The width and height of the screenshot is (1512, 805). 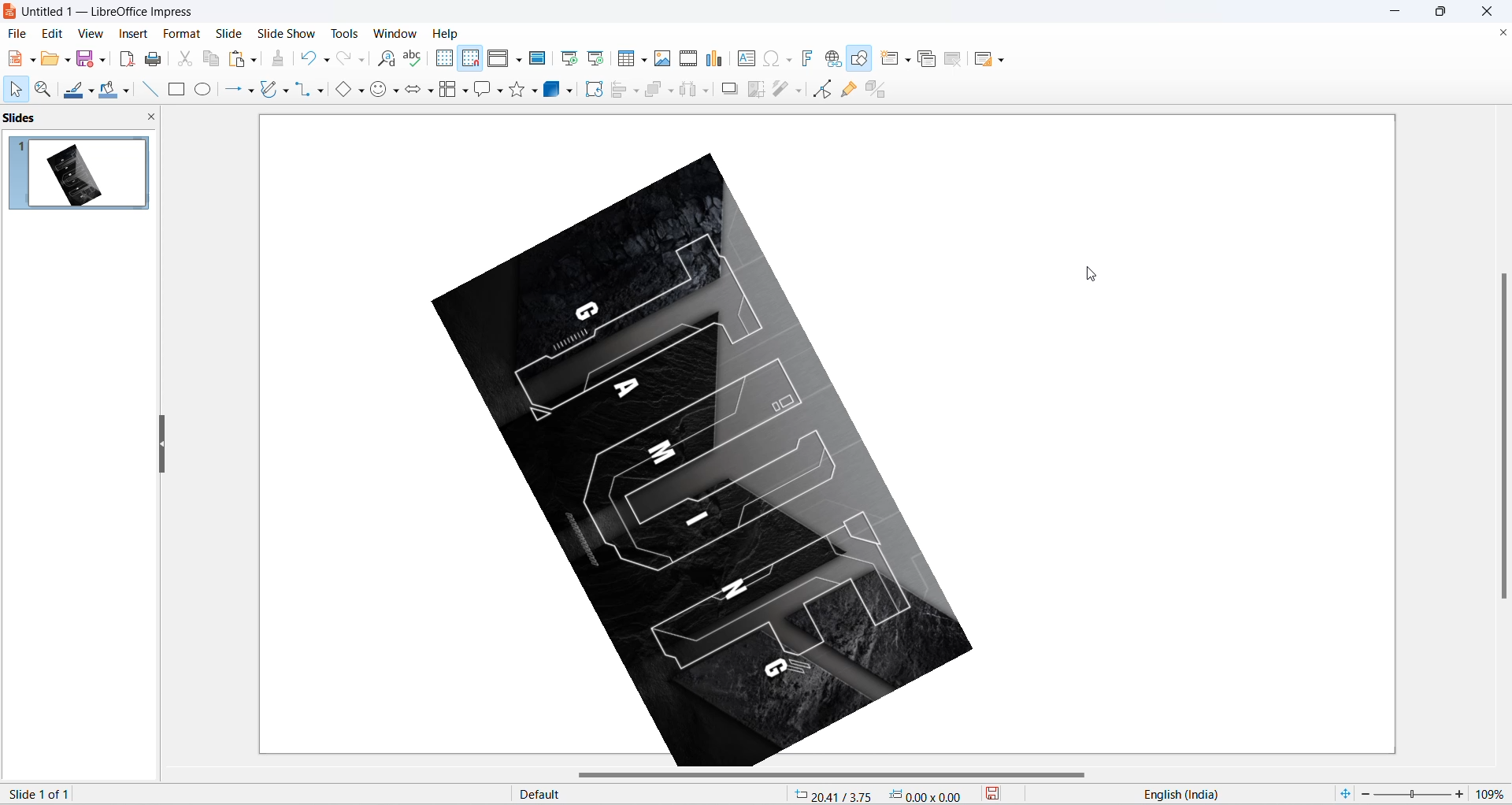 I want to click on print, so click(x=158, y=59).